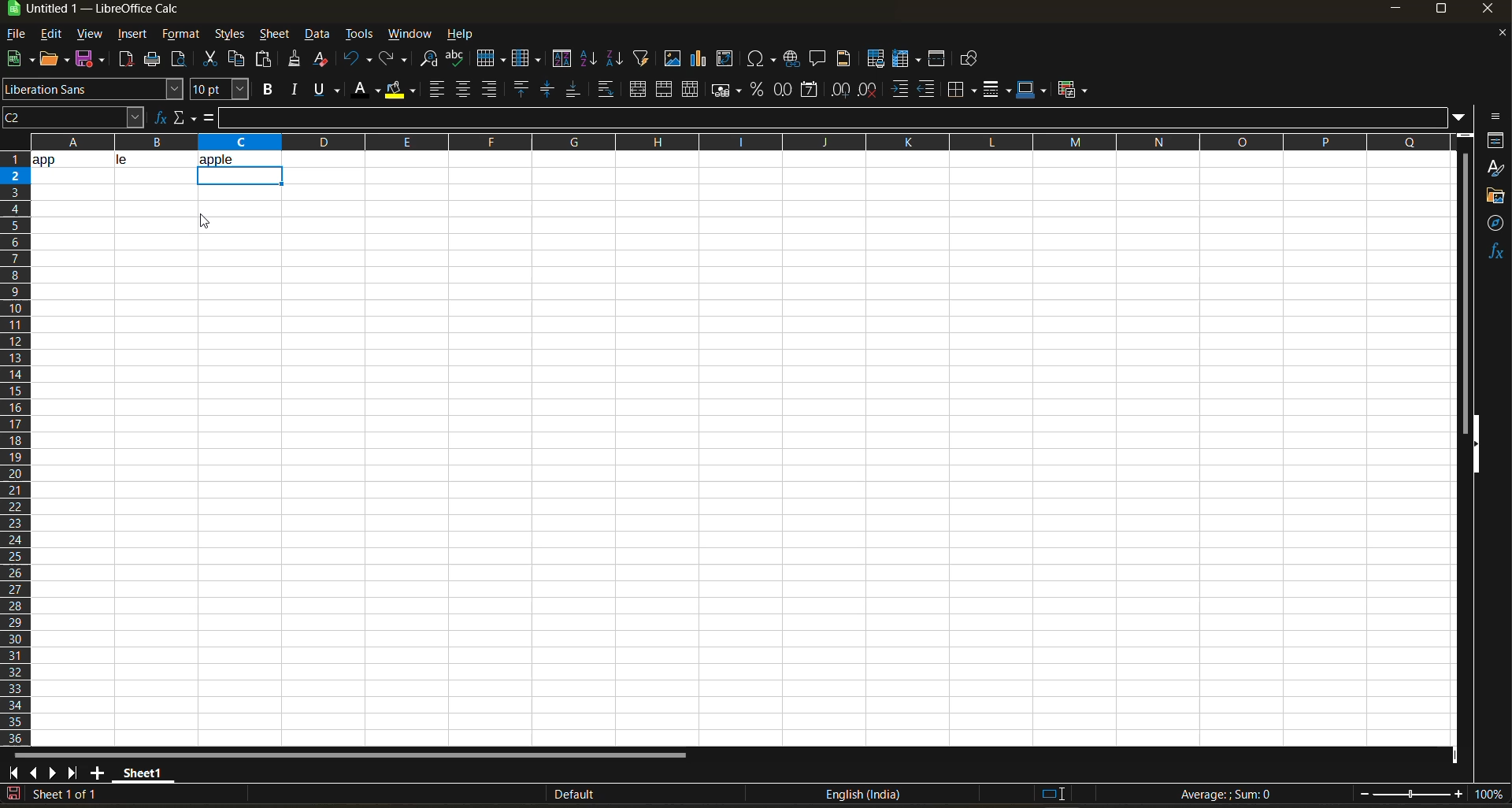 Image resolution: width=1512 pixels, height=808 pixels. What do you see at coordinates (319, 35) in the screenshot?
I see `data` at bounding box center [319, 35].